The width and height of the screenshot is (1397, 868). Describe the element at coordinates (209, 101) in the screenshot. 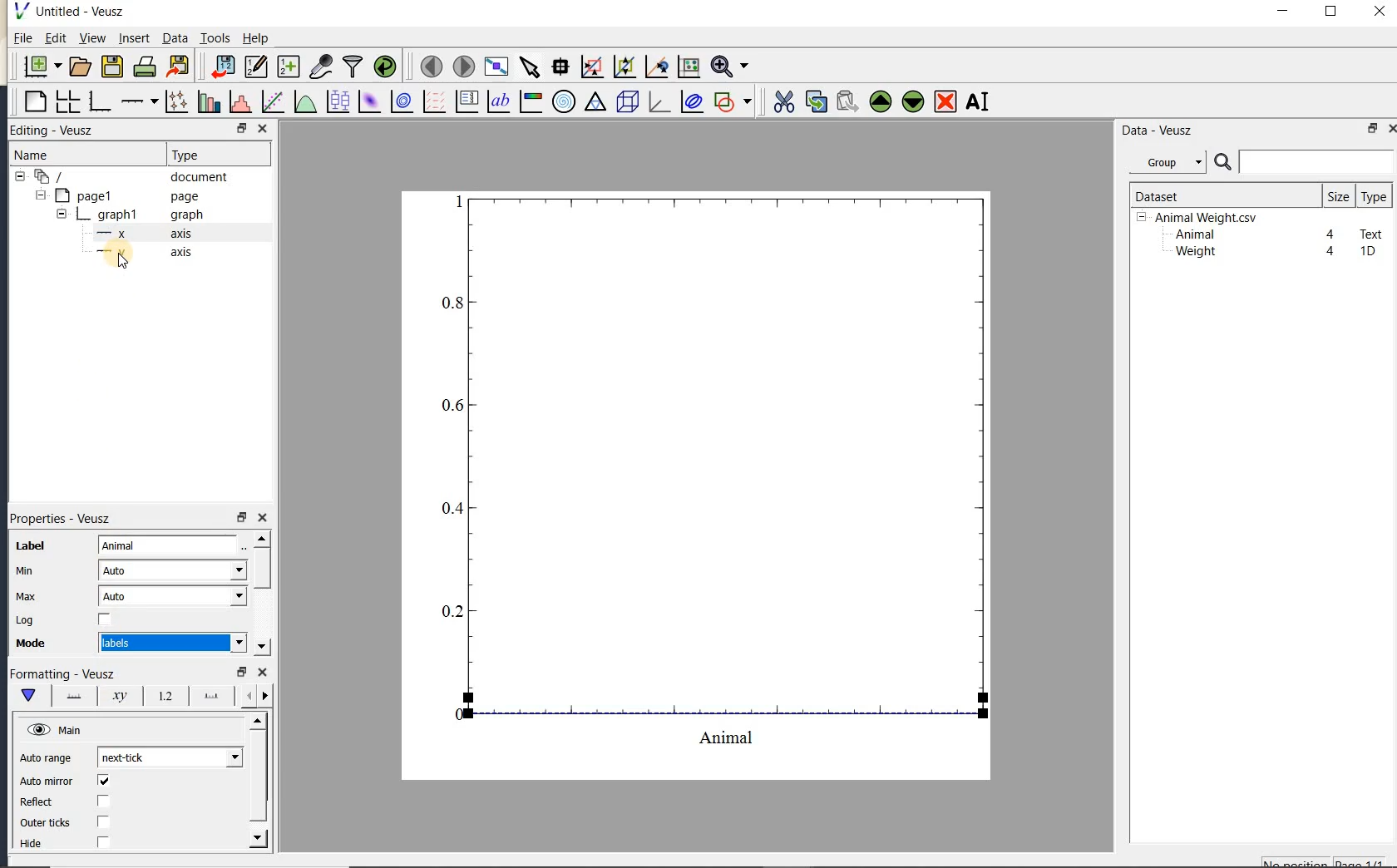

I see `plot bar charts` at that location.